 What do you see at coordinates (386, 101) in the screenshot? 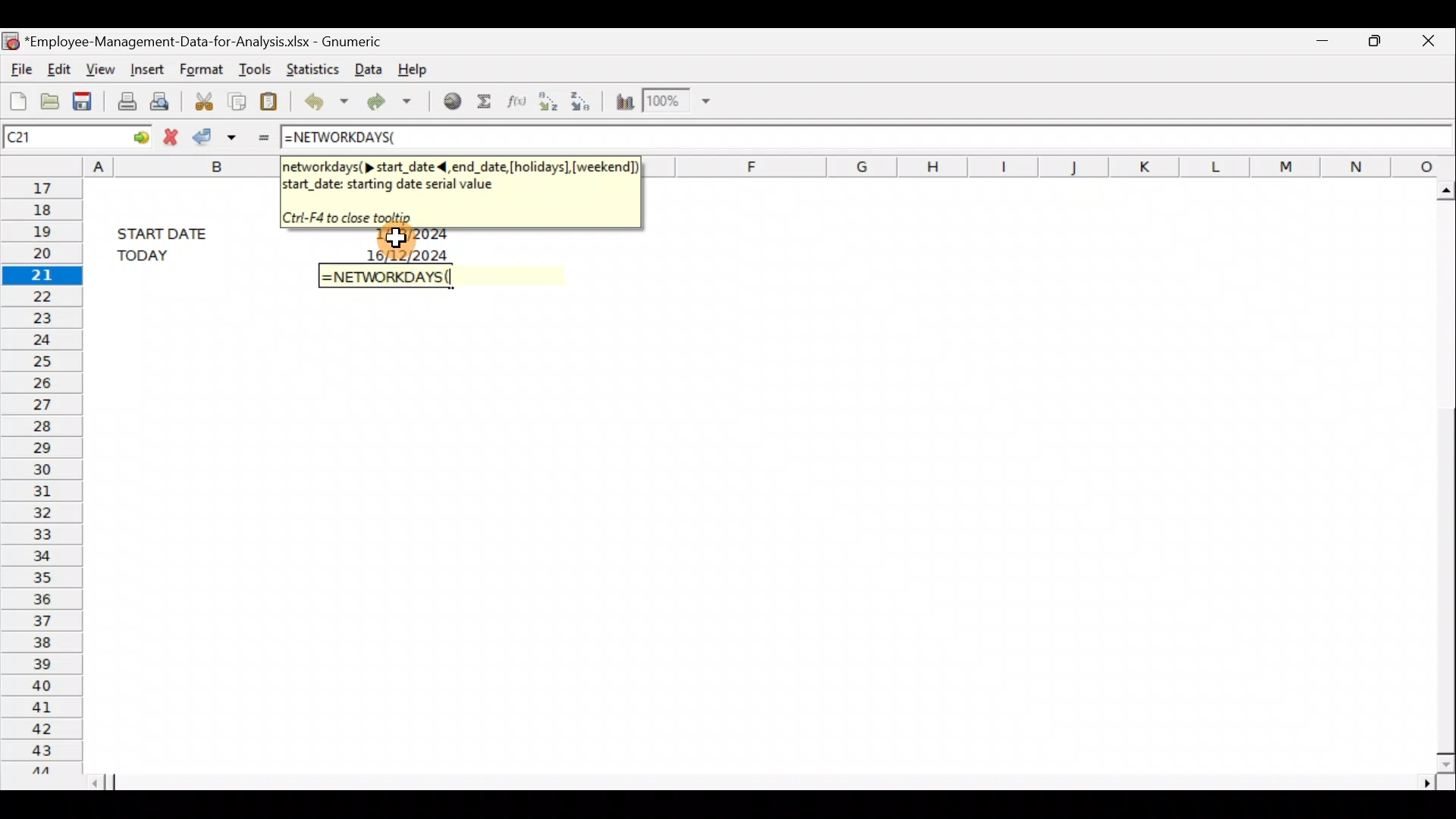
I see `Redo undone action` at bounding box center [386, 101].